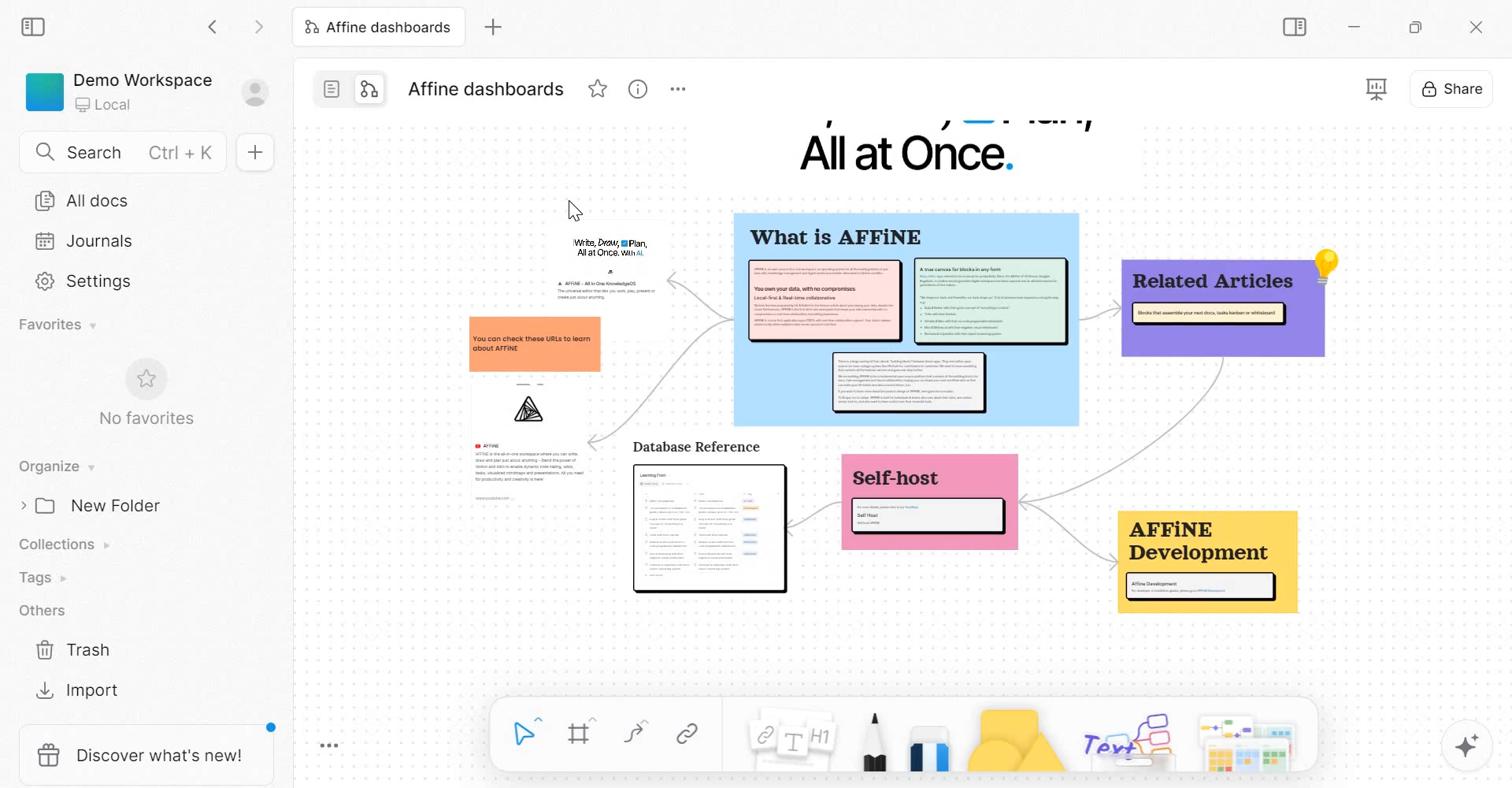 The image size is (1512, 788). Describe the element at coordinates (332, 88) in the screenshot. I see `page mode` at that location.